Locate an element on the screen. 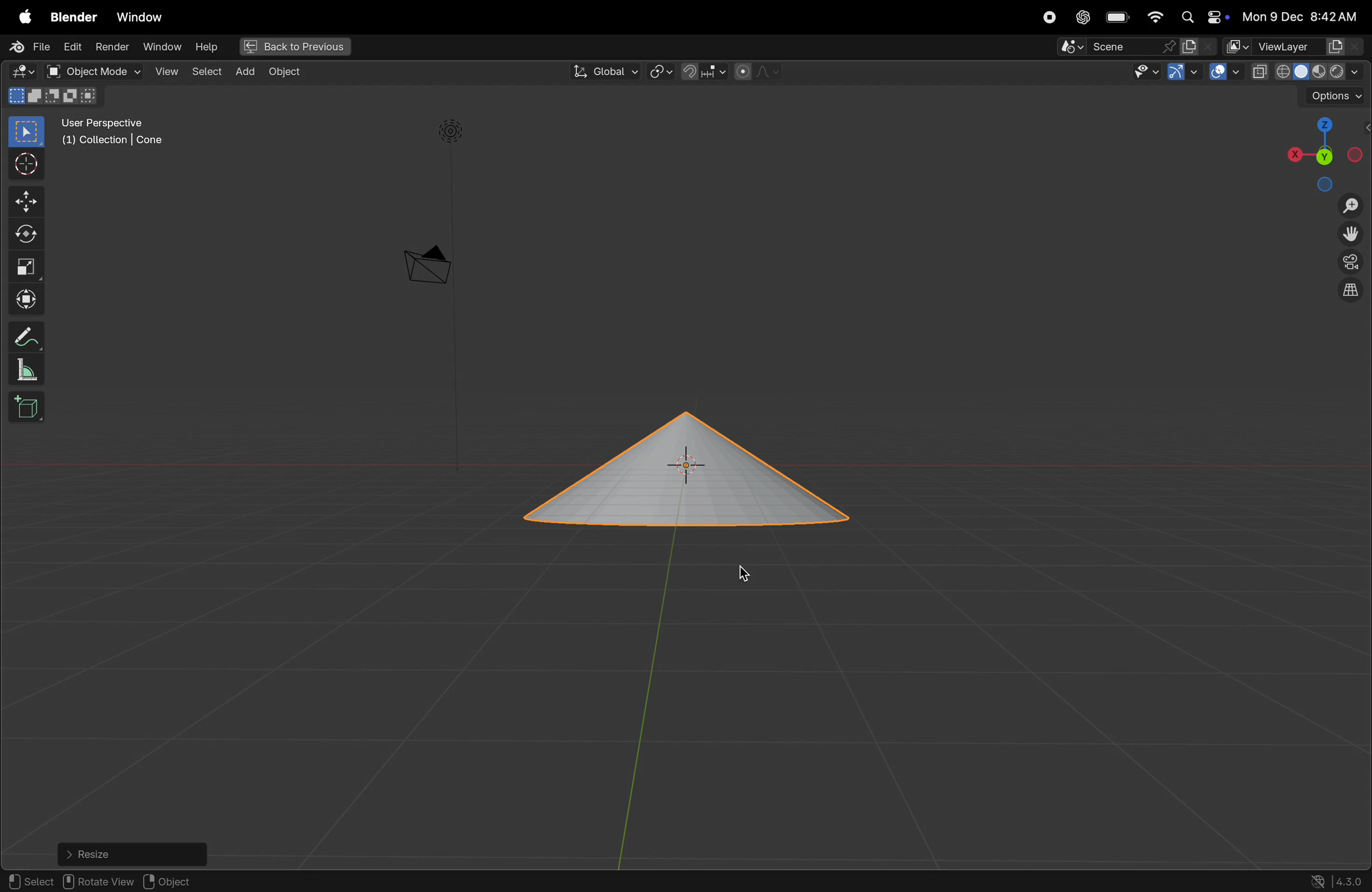 The height and width of the screenshot is (892, 1372). X Y Z Plane is located at coordinates (263, 880).